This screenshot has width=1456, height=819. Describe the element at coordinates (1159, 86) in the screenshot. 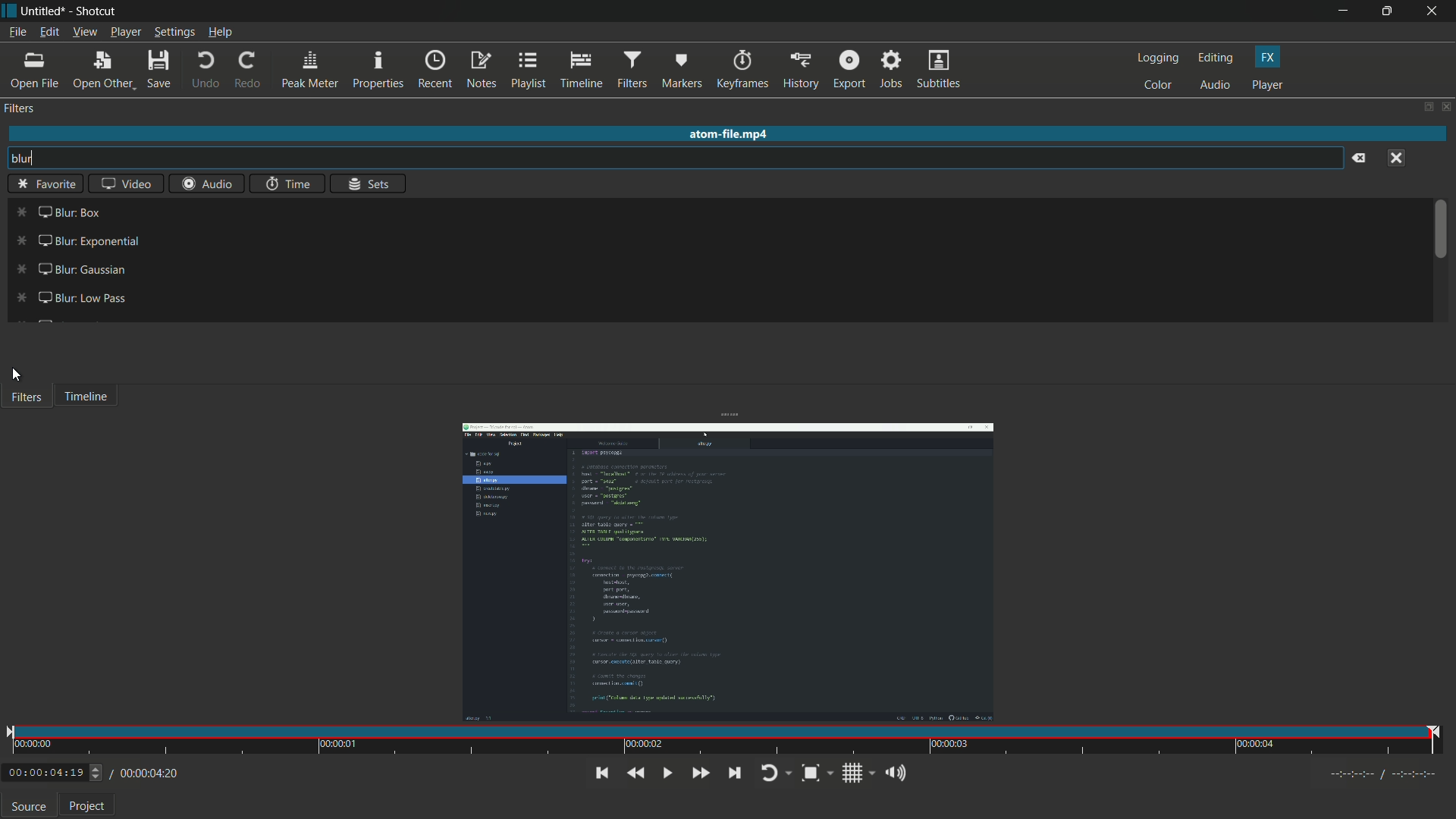

I see `color` at that location.